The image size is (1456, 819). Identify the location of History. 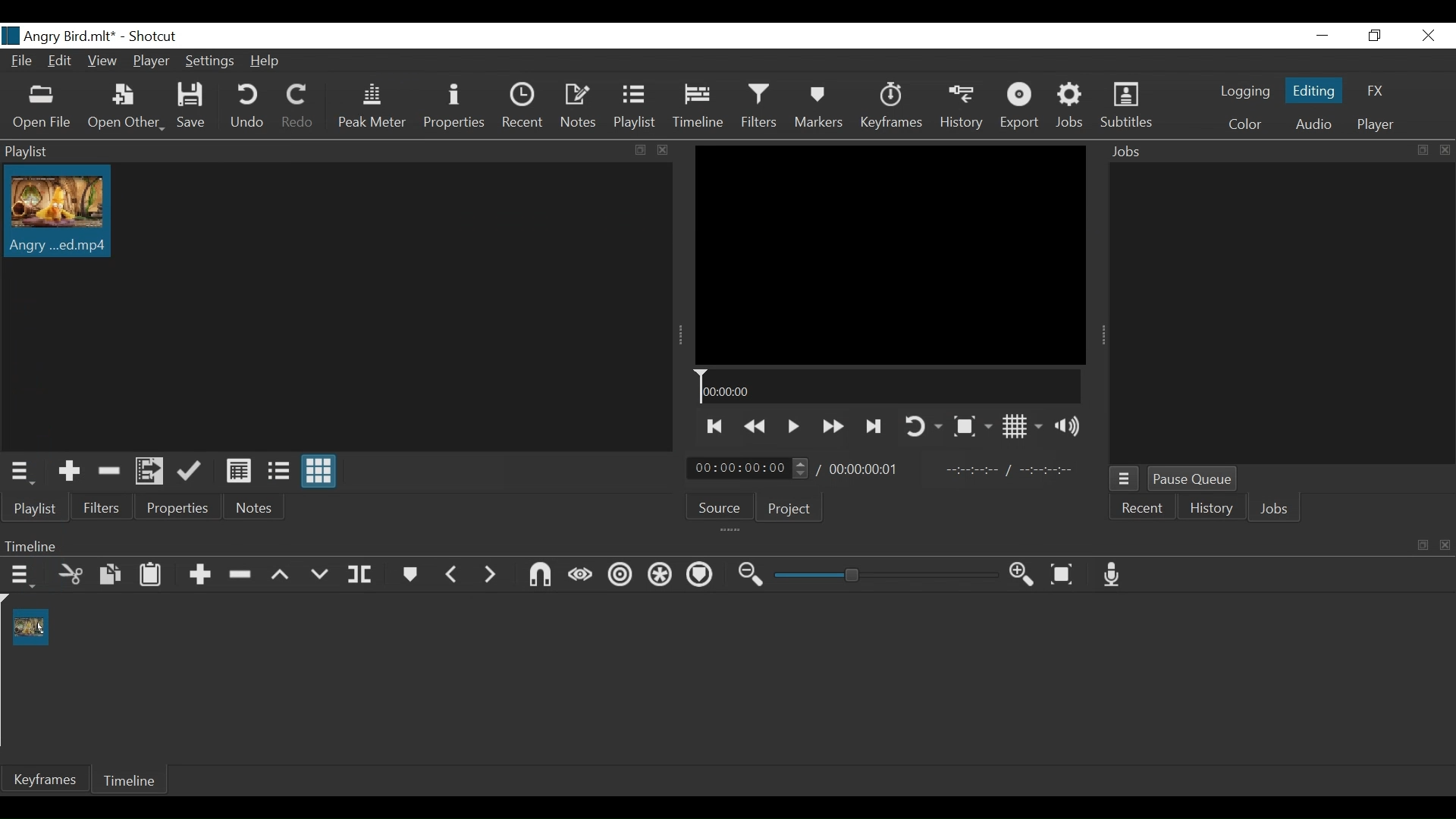
(961, 107).